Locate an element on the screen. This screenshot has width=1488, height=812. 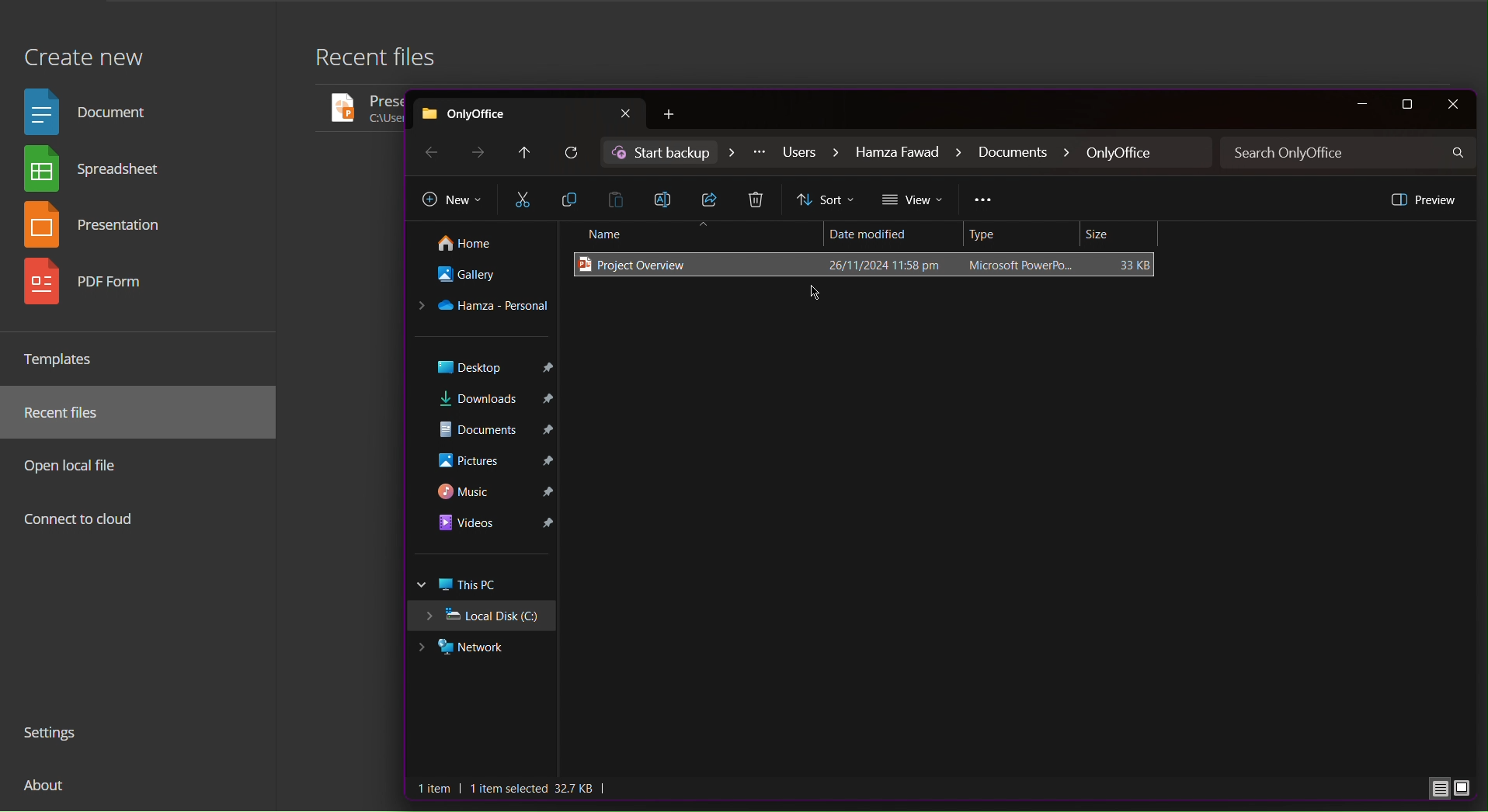
Presentation is located at coordinates (101, 227).